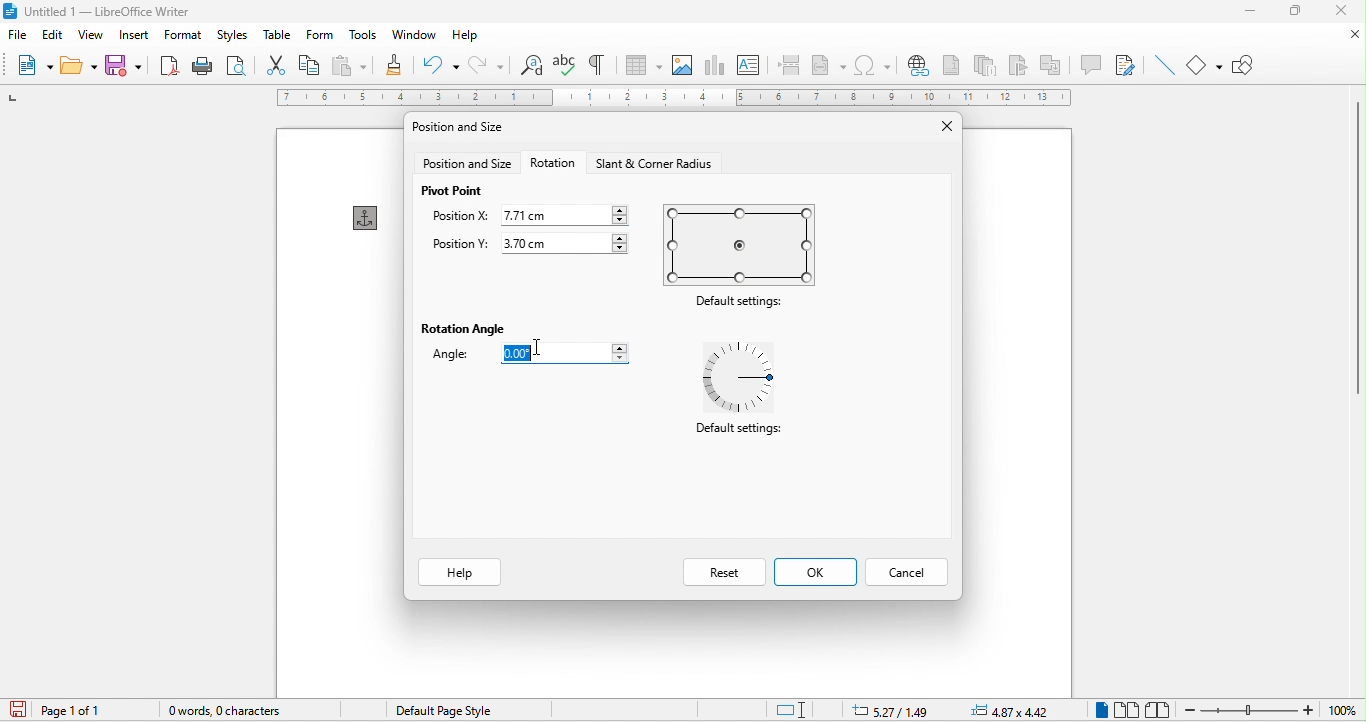 The image size is (1366, 722). What do you see at coordinates (685, 64) in the screenshot?
I see `image` at bounding box center [685, 64].